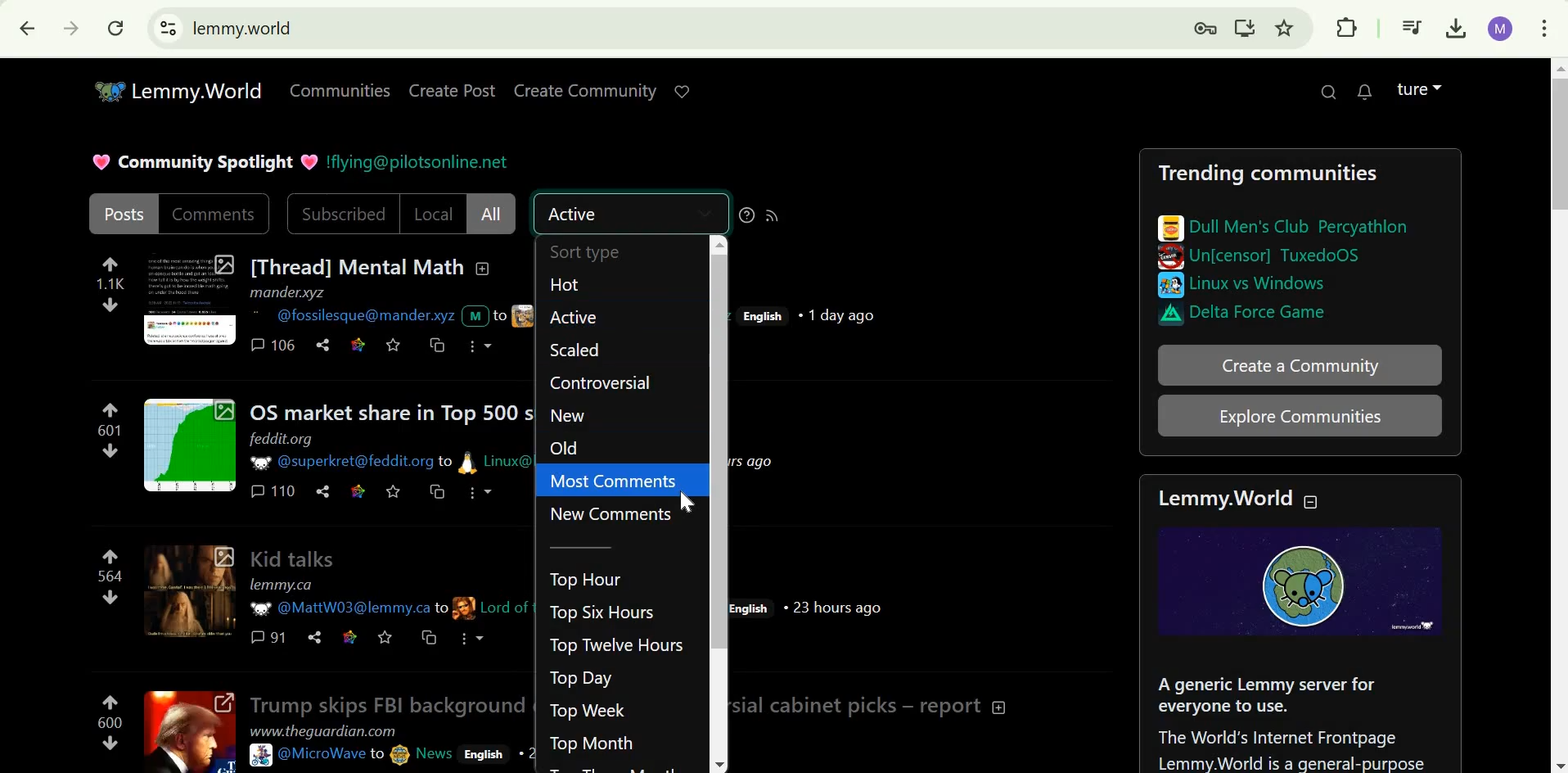 The image size is (1568, 773). I want to click on News, so click(436, 754).